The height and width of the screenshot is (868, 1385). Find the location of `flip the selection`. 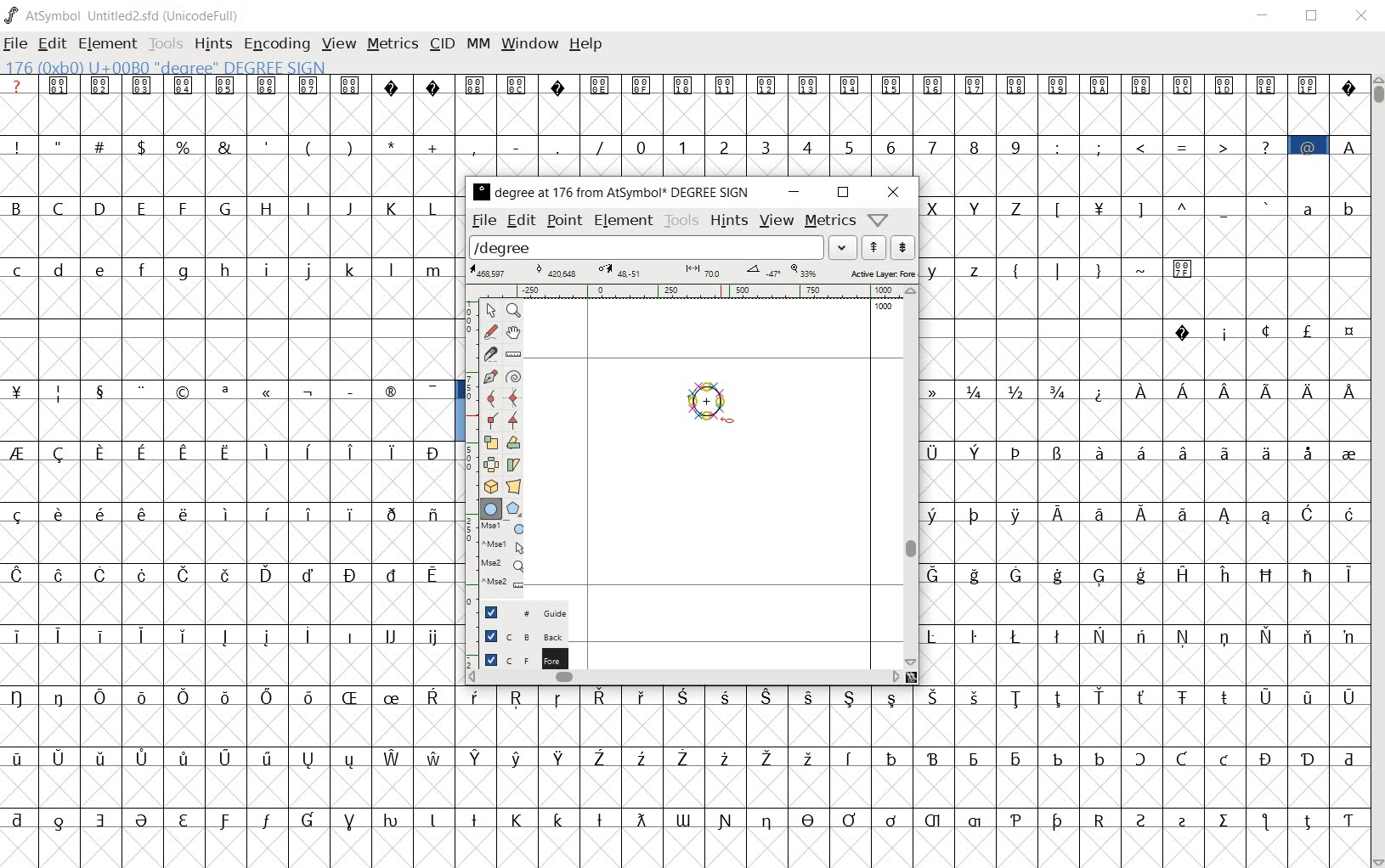

flip the selection is located at coordinates (489, 465).